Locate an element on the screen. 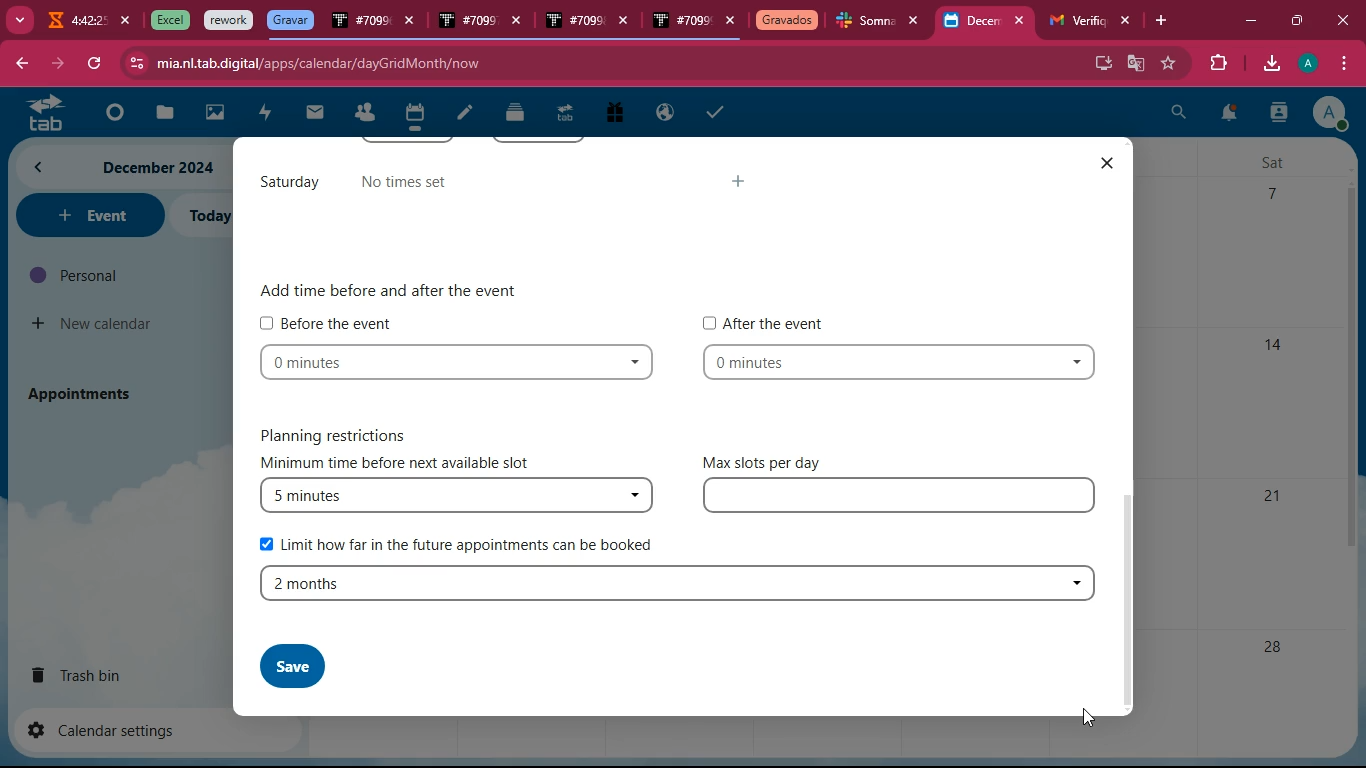 The image size is (1366, 768). files is located at coordinates (161, 114).